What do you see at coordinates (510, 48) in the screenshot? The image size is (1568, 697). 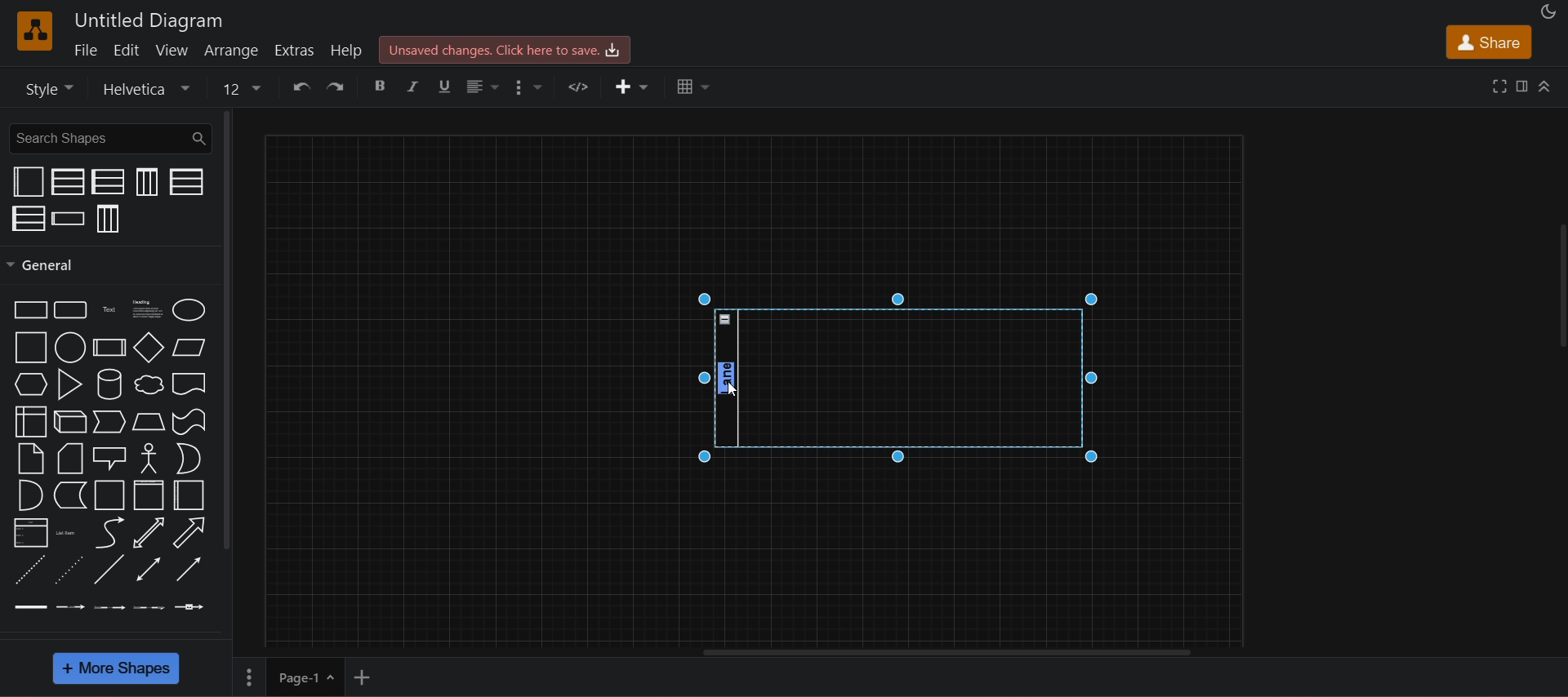 I see `unsaved changes. click here to save` at bounding box center [510, 48].